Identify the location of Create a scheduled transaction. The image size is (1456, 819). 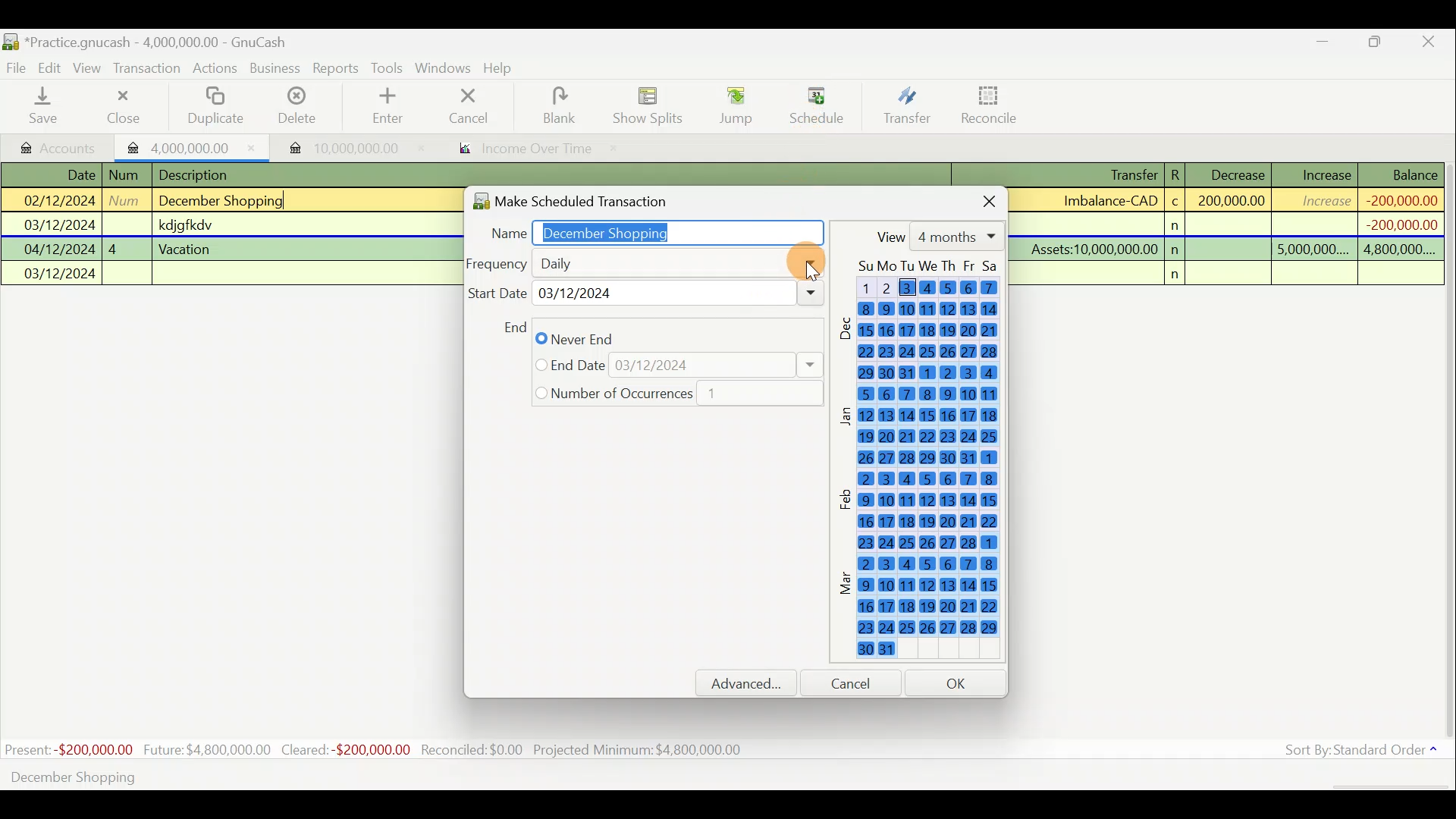
(461, 776).